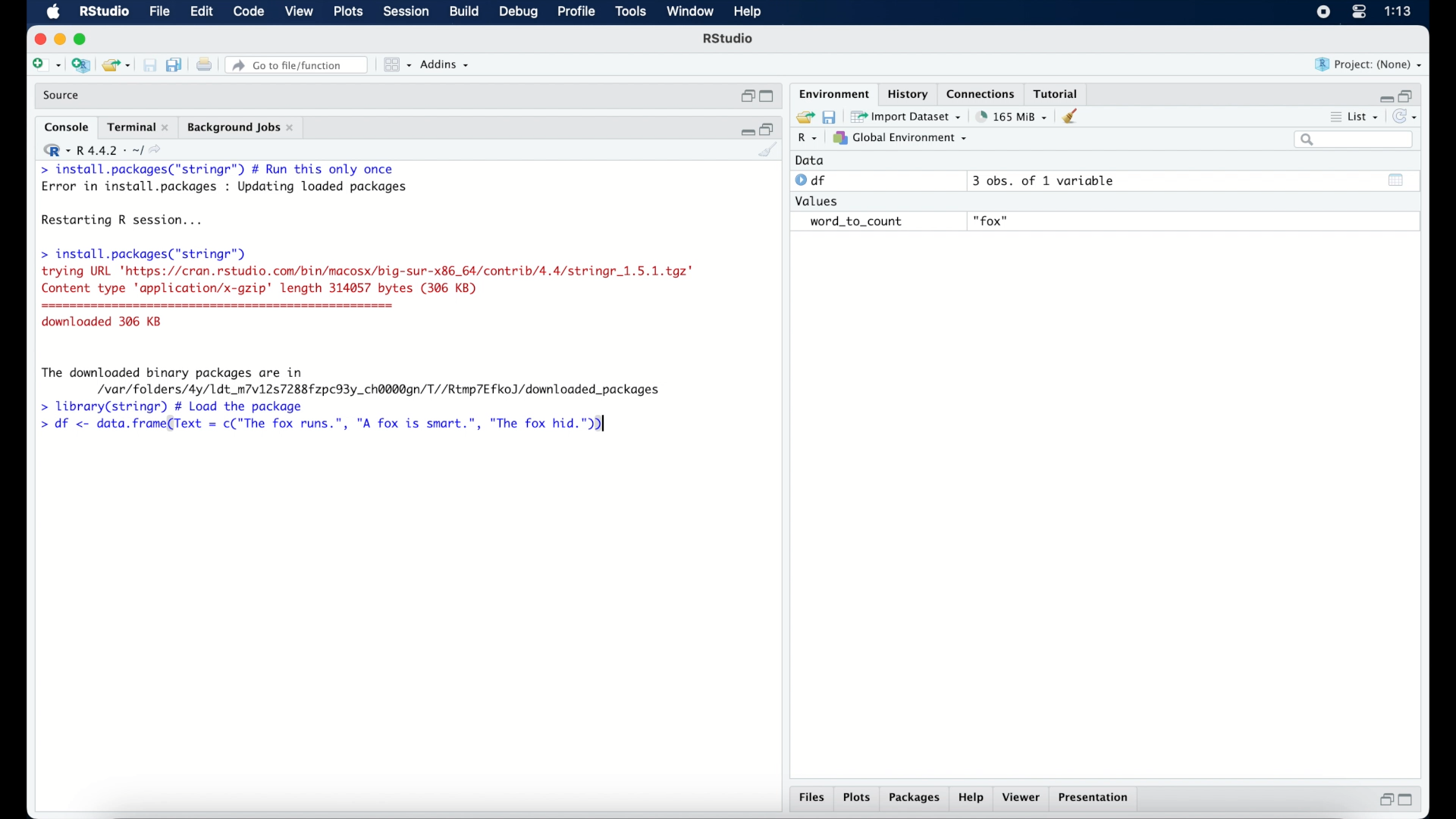 The width and height of the screenshot is (1456, 819). Describe the element at coordinates (746, 96) in the screenshot. I see `restore down` at that location.